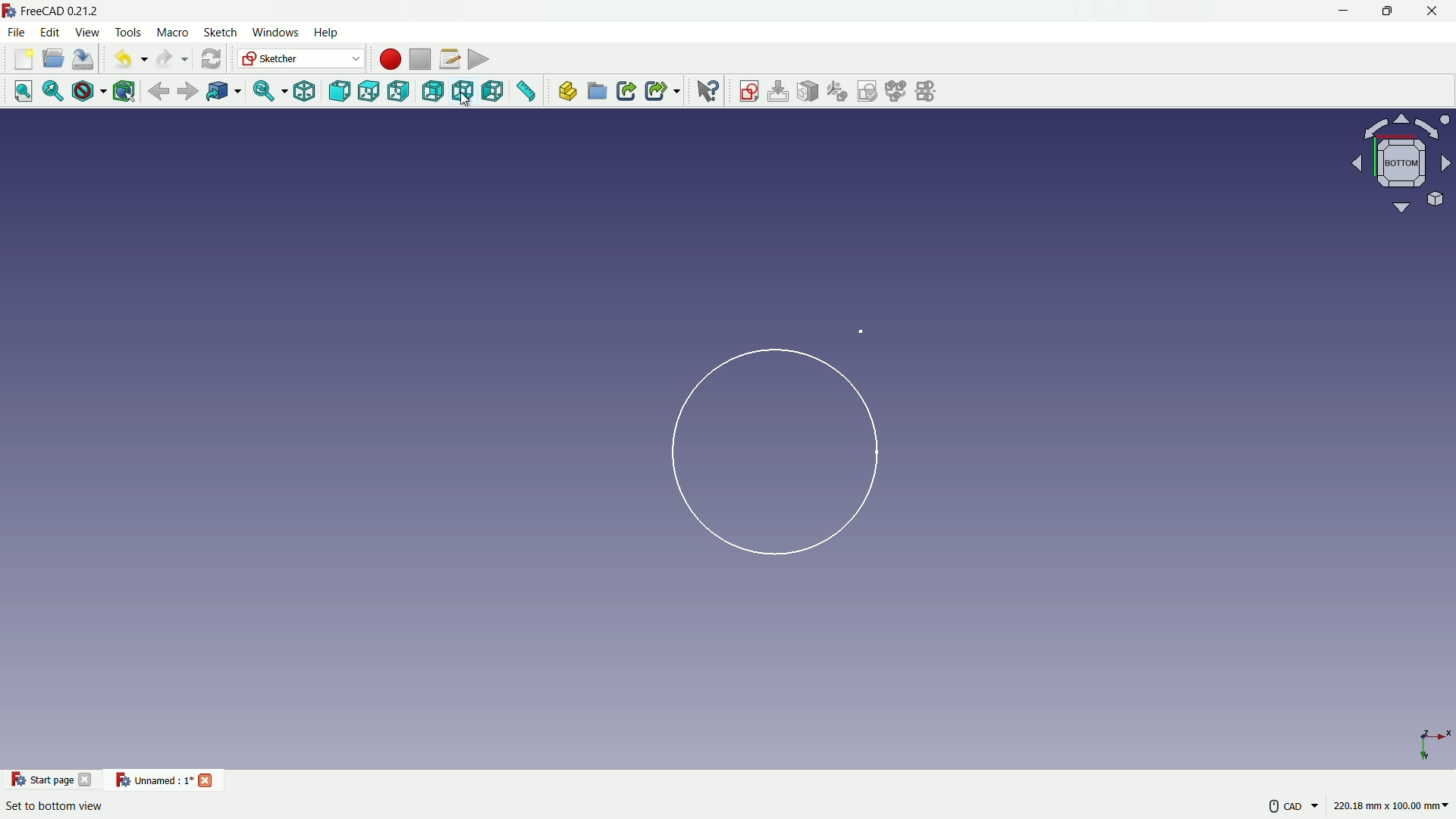 The image size is (1456, 819). I want to click on close, so click(1434, 13).